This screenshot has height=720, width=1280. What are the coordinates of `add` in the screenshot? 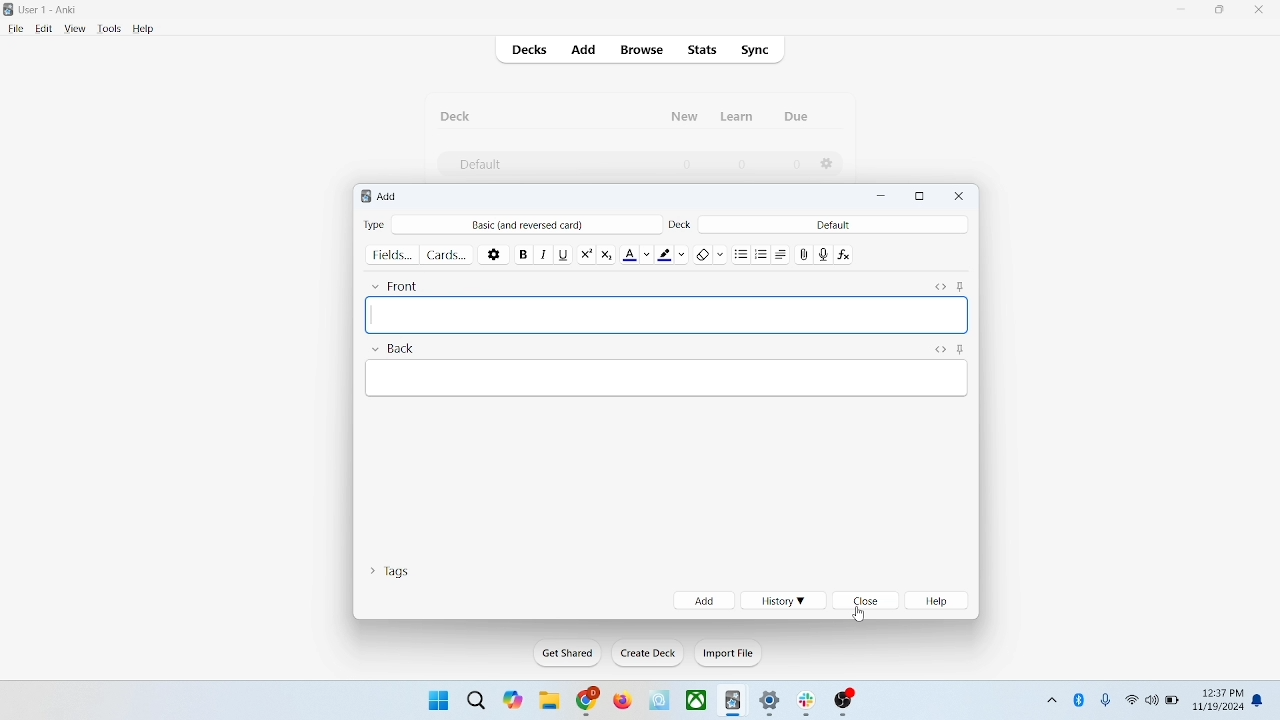 It's located at (585, 51).